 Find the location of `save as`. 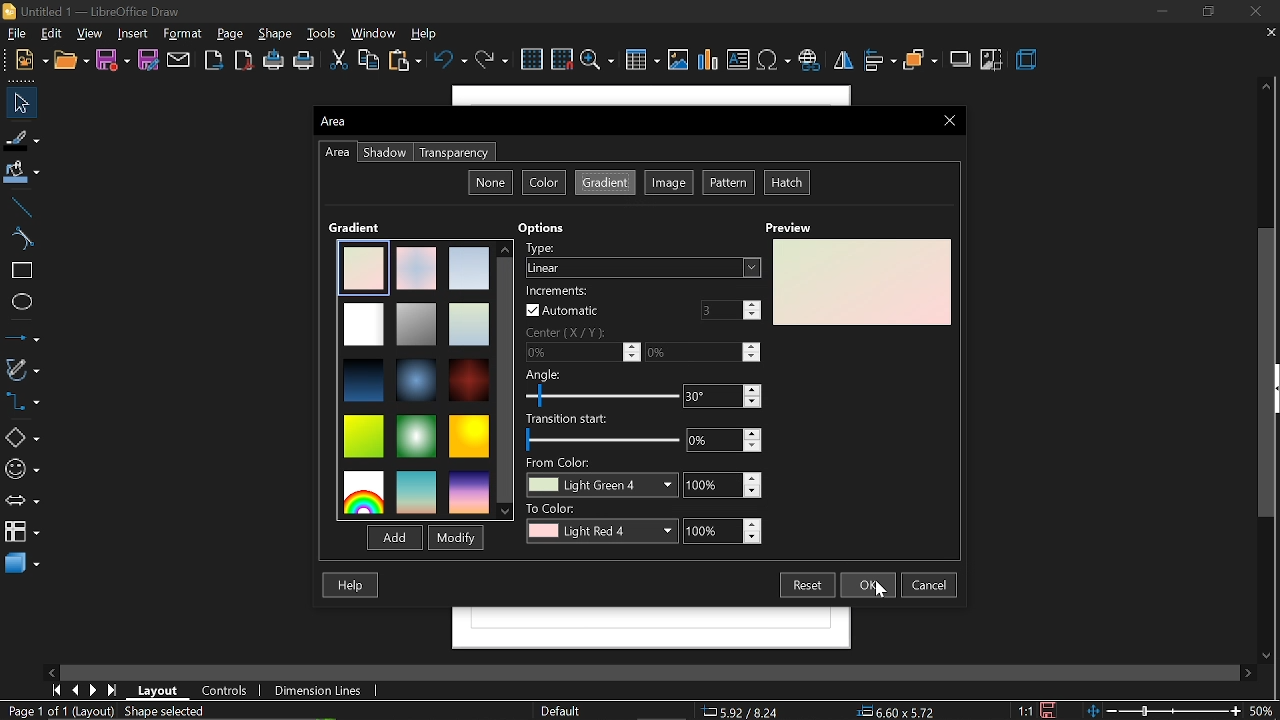

save as is located at coordinates (150, 61).